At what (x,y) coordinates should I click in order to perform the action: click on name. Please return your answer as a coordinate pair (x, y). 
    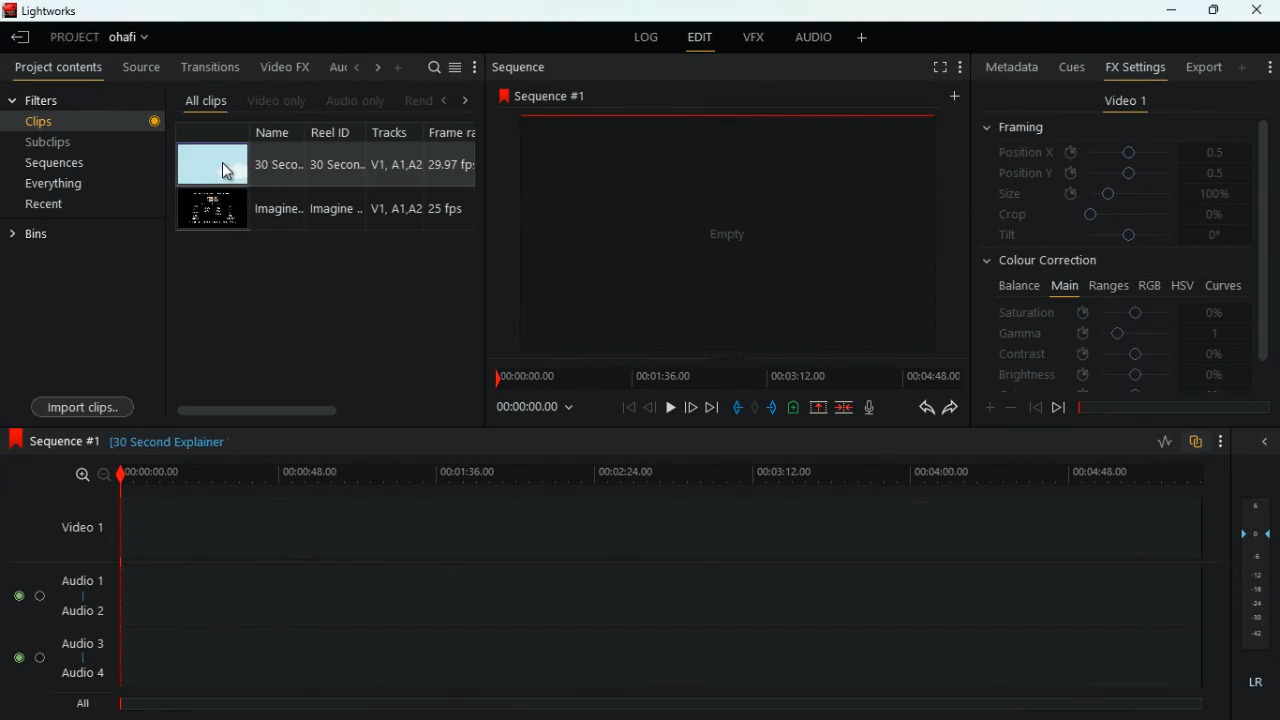
    Looking at the image, I should click on (281, 134).